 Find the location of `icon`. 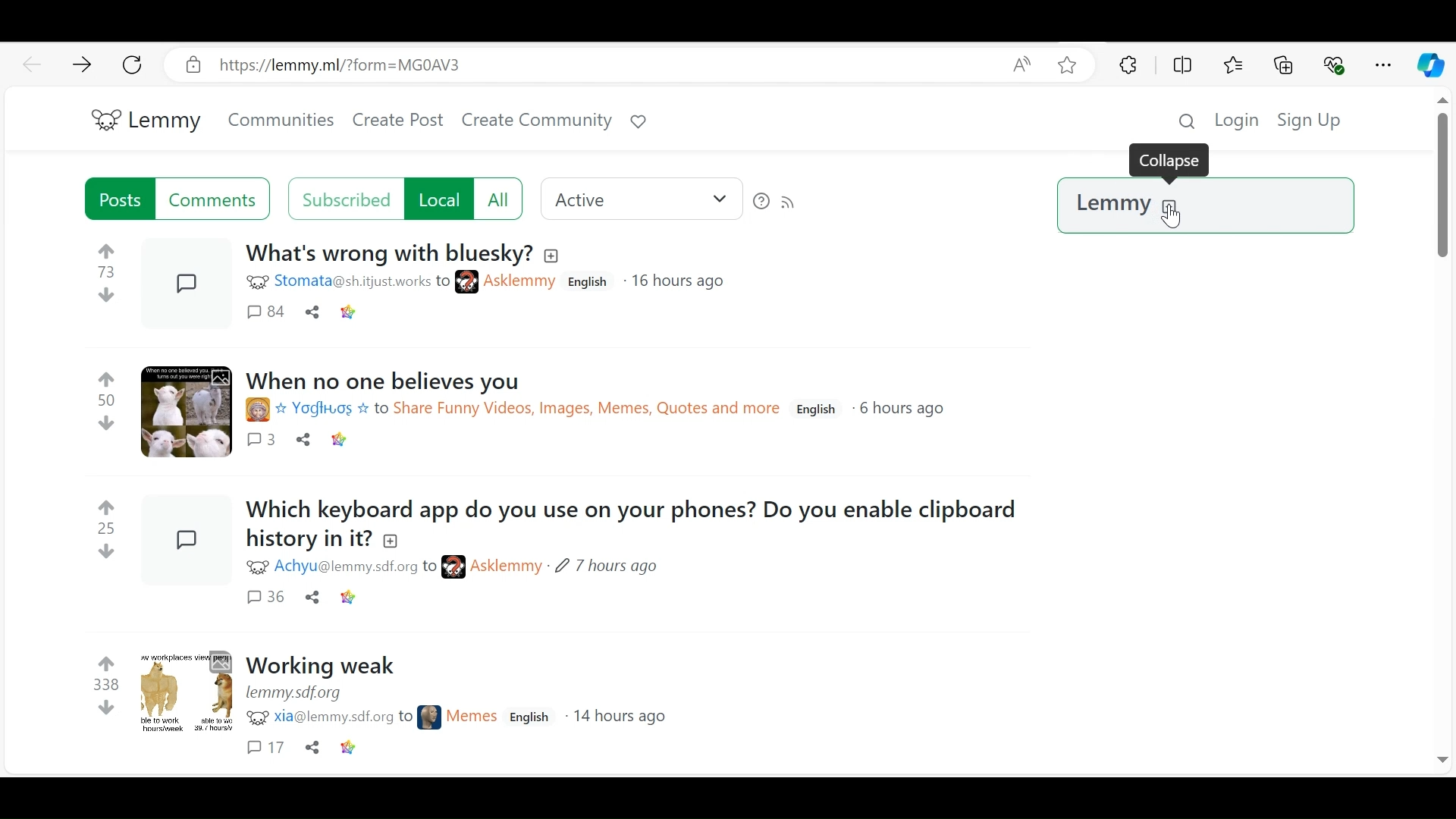

icon is located at coordinates (467, 284).